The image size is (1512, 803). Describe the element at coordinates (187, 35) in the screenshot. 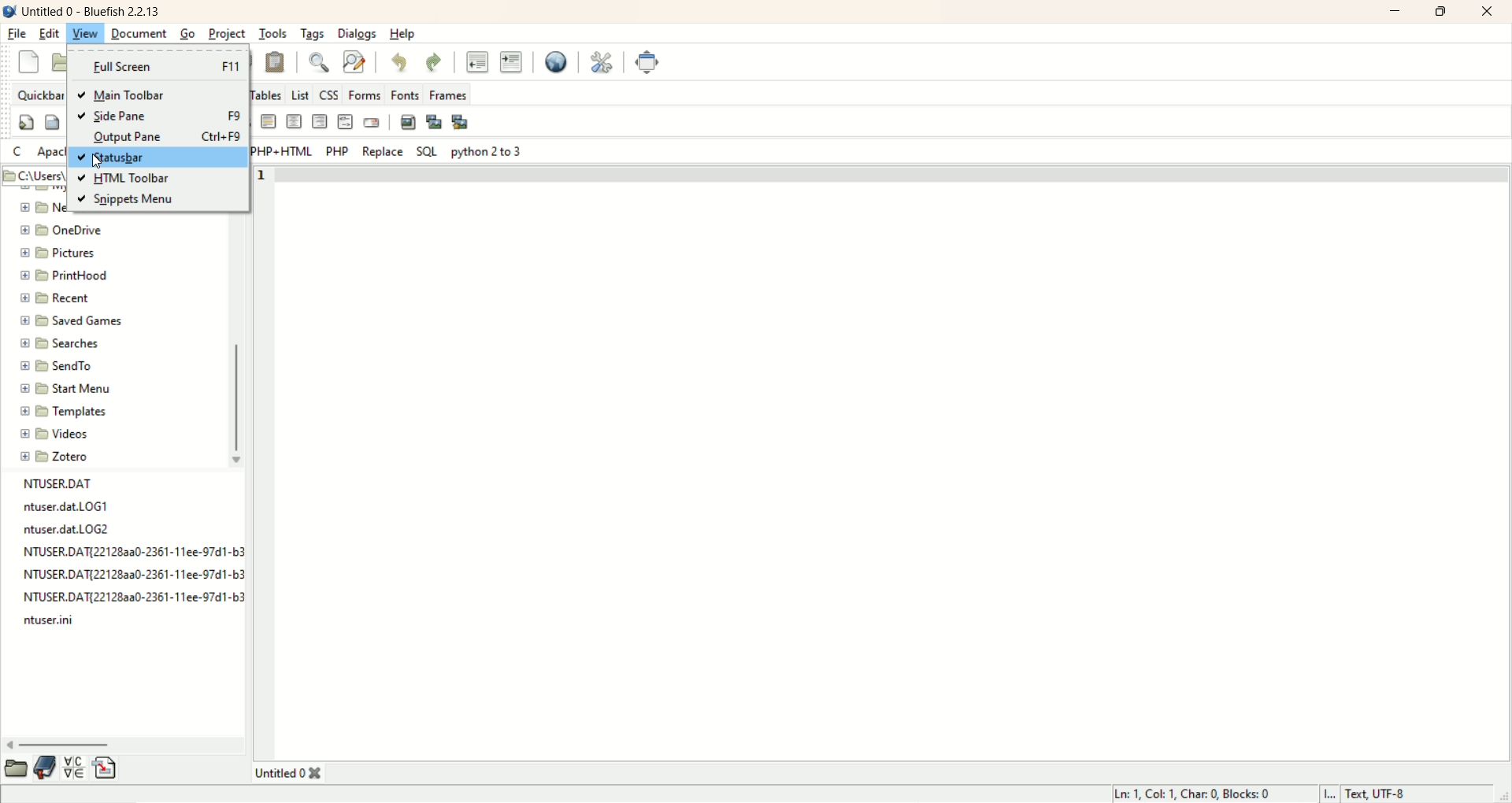

I see `go` at that location.